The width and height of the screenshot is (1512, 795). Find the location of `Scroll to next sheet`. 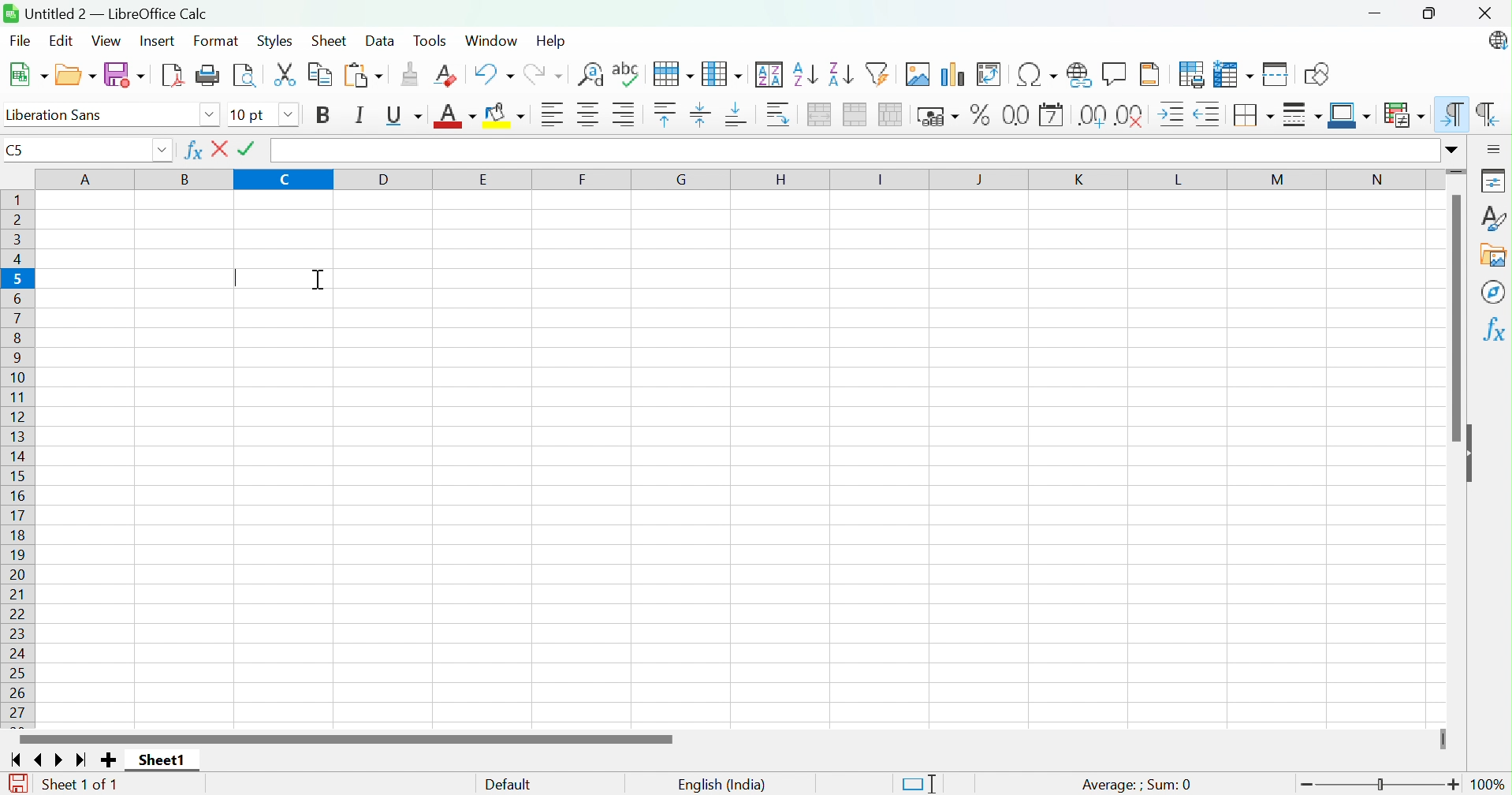

Scroll to next sheet is located at coordinates (61, 760).